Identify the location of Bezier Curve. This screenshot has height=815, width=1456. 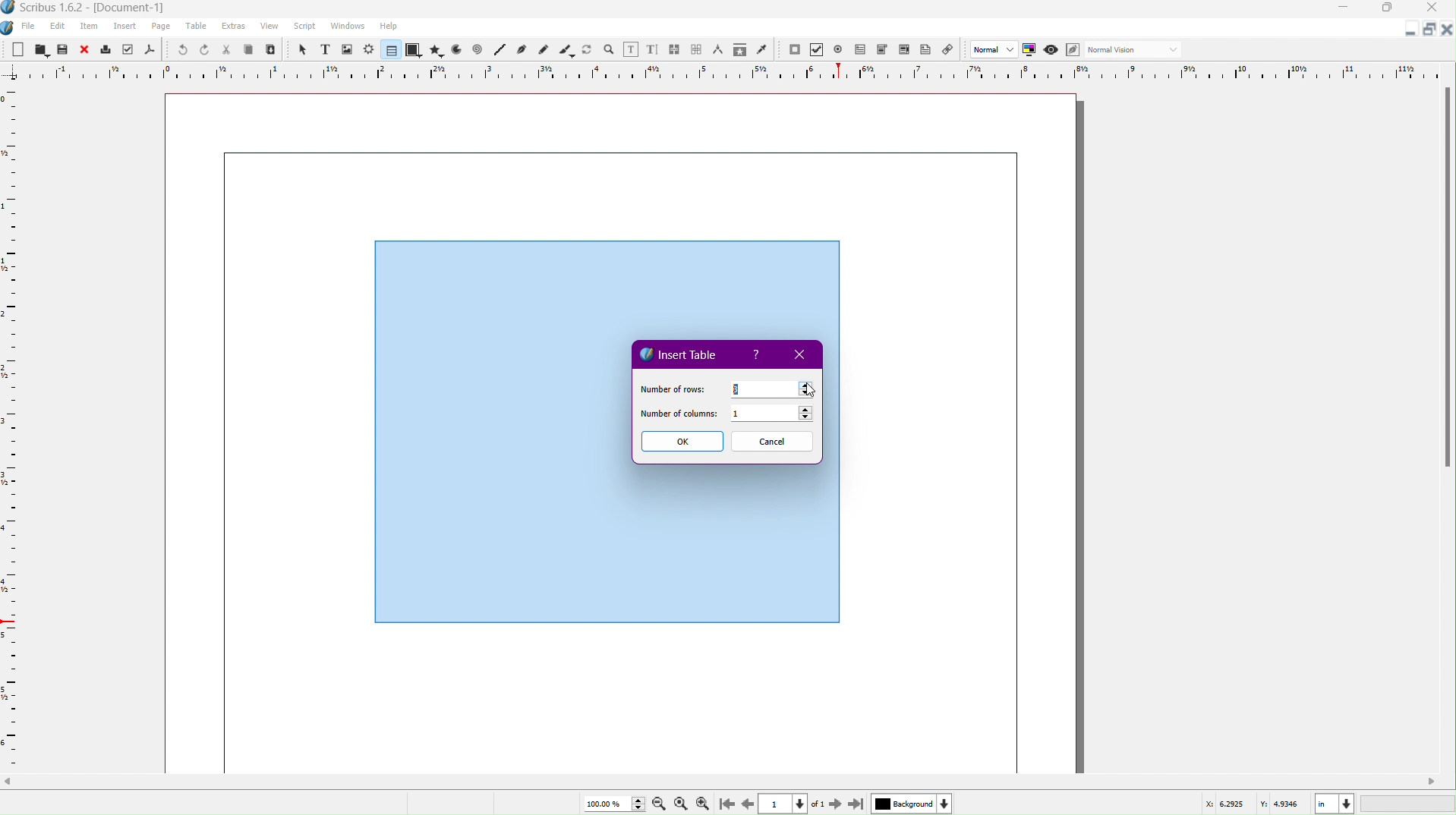
(522, 50).